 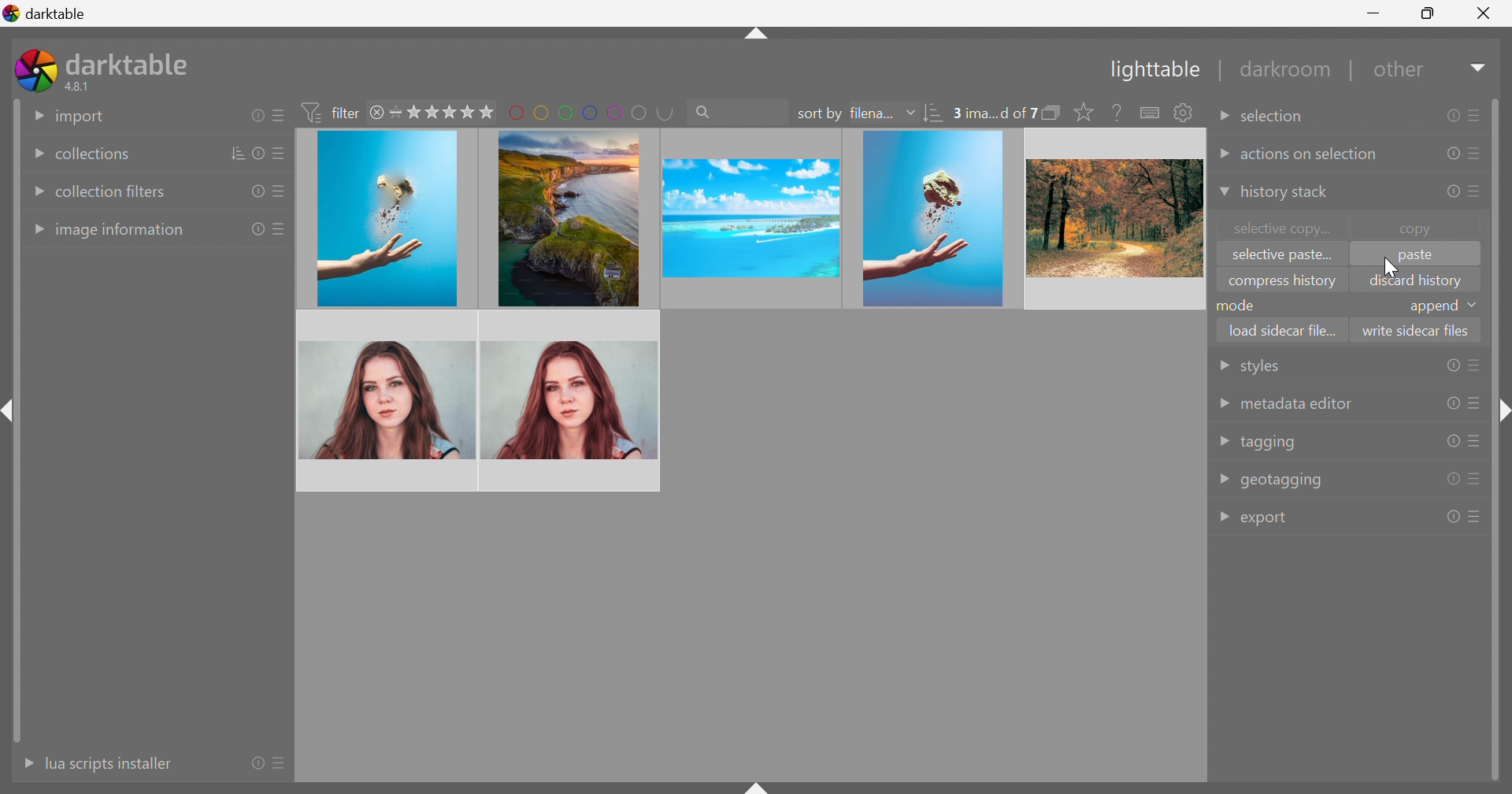 What do you see at coordinates (1310, 155) in the screenshot?
I see `actions on selection` at bounding box center [1310, 155].